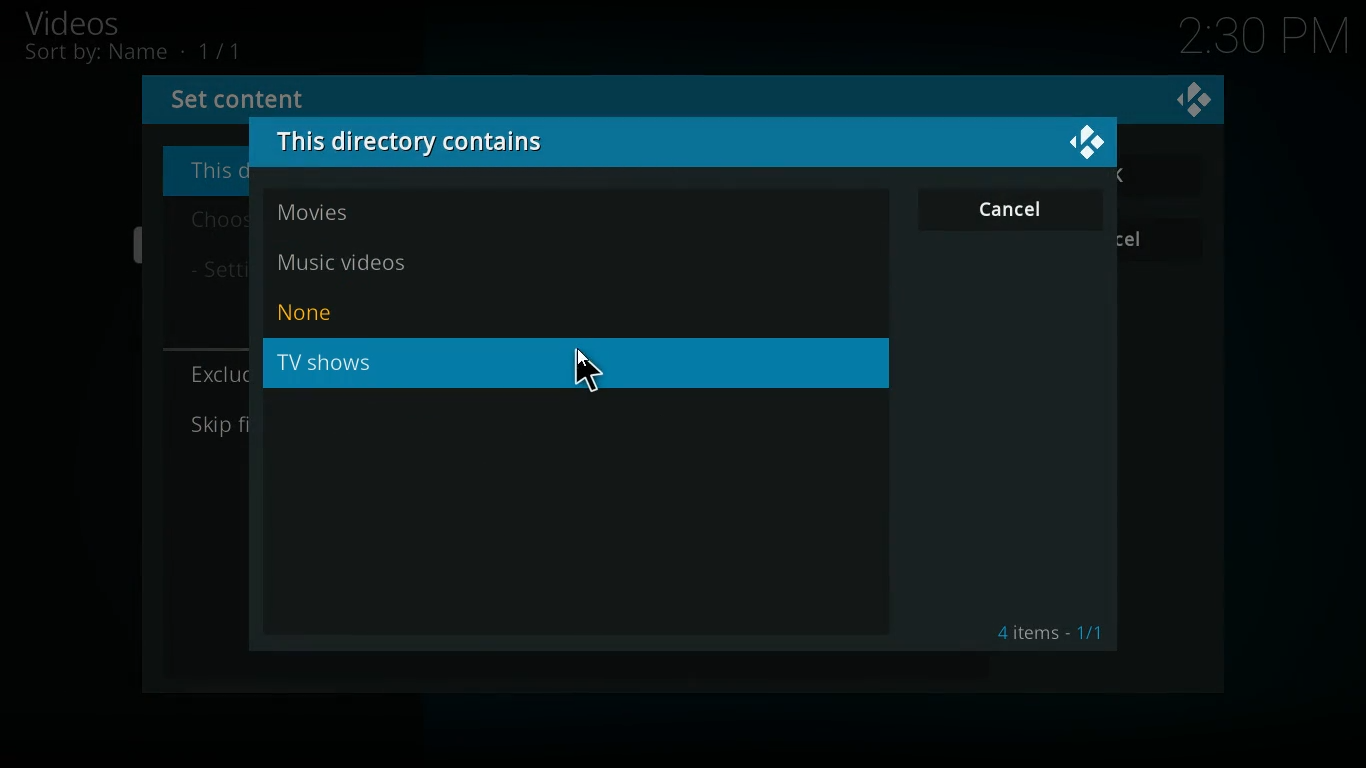  I want to click on videos, so click(96, 22).